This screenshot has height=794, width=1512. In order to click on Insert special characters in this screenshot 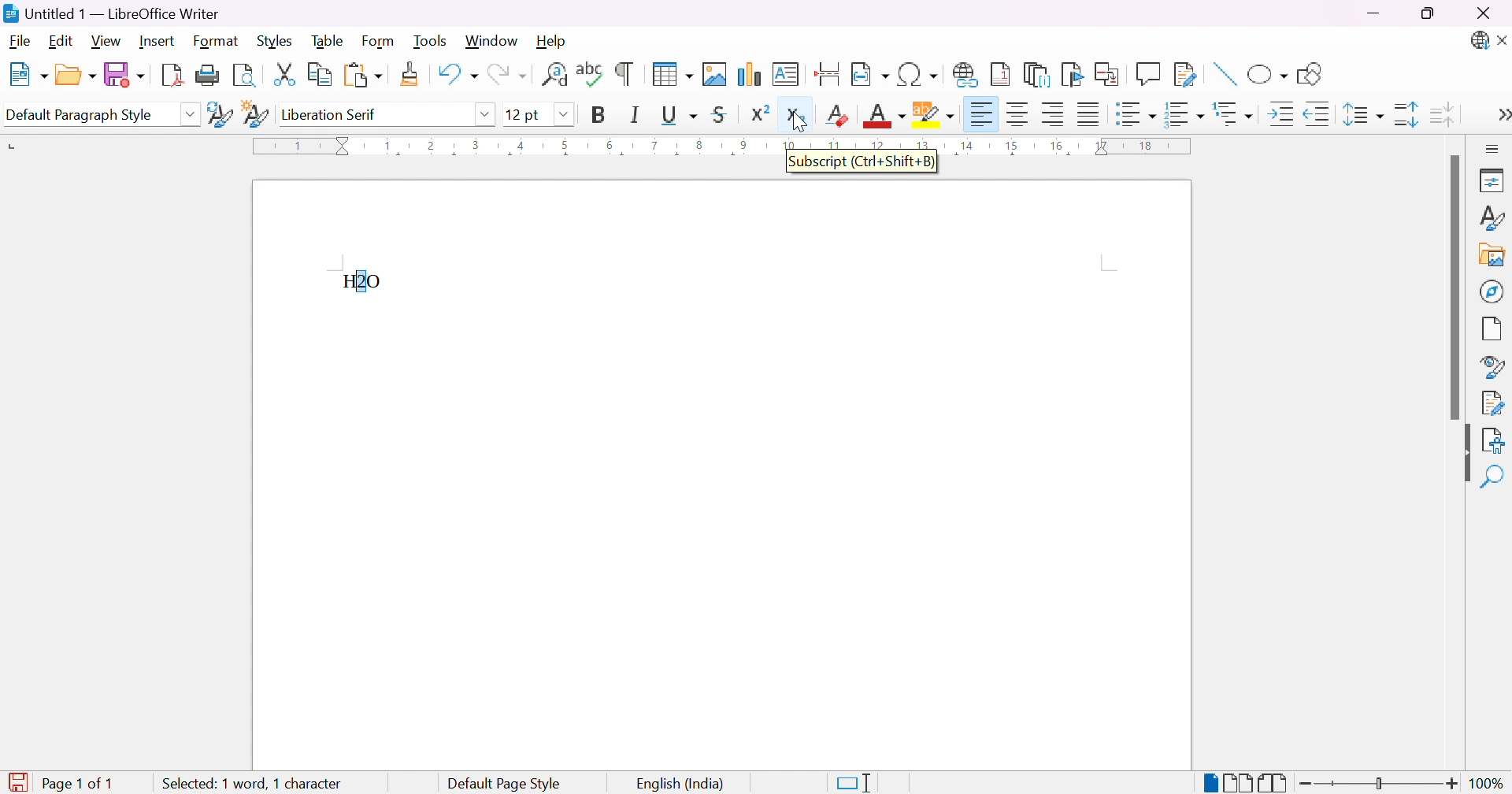, I will do `click(919, 75)`.